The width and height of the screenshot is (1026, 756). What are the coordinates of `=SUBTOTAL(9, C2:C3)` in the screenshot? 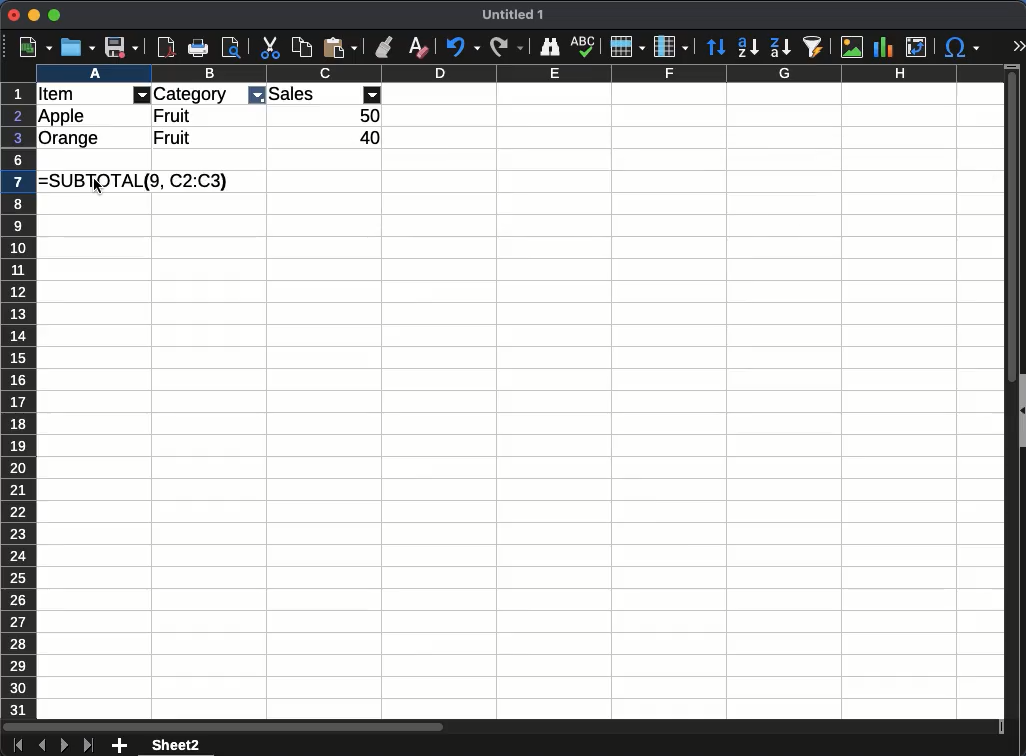 It's located at (134, 180).